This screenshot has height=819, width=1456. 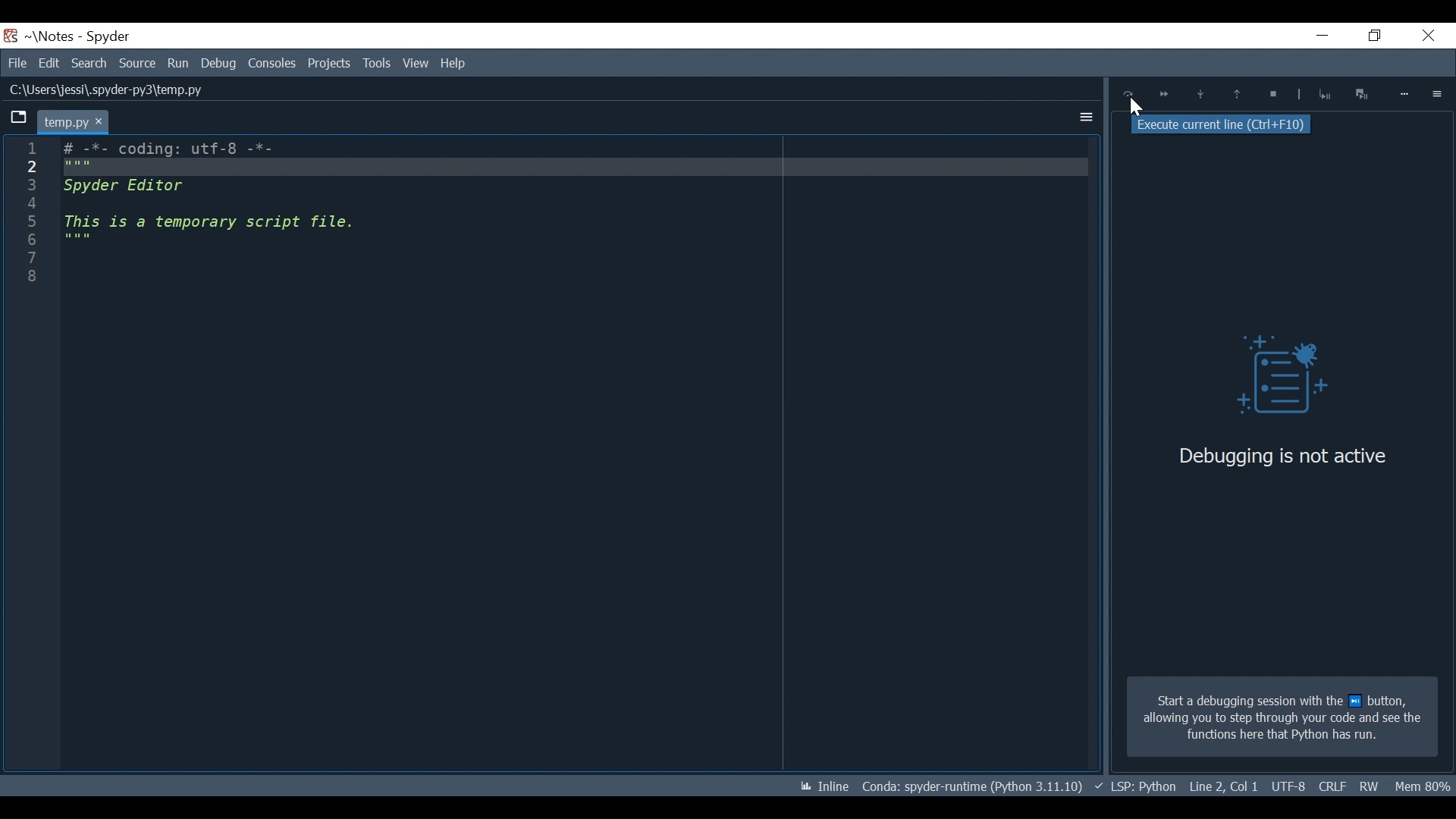 I want to click on Consoles, so click(x=271, y=63).